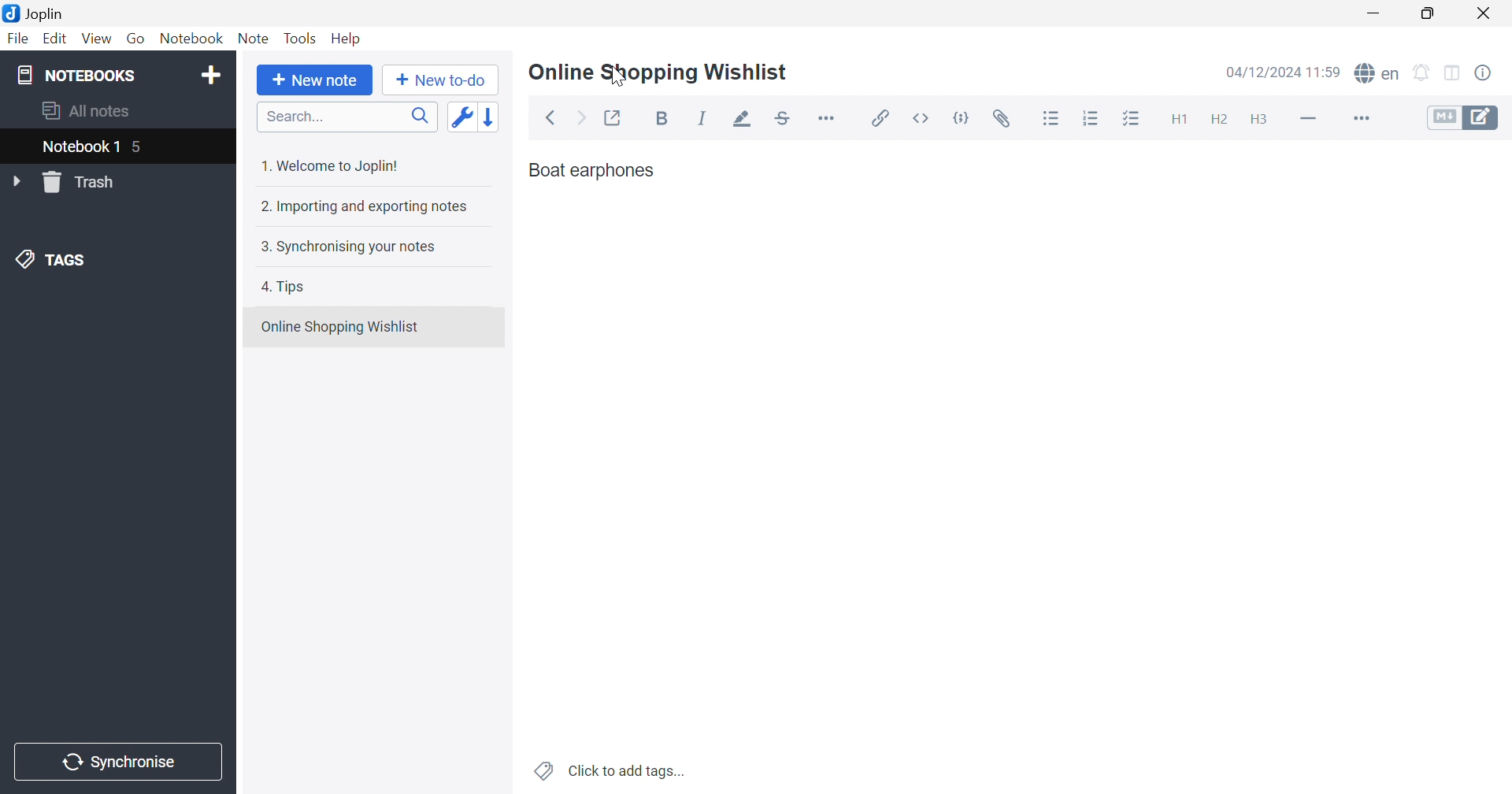 This screenshot has width=1512, height=794. I want to click on Joplin, so click(35, 13).